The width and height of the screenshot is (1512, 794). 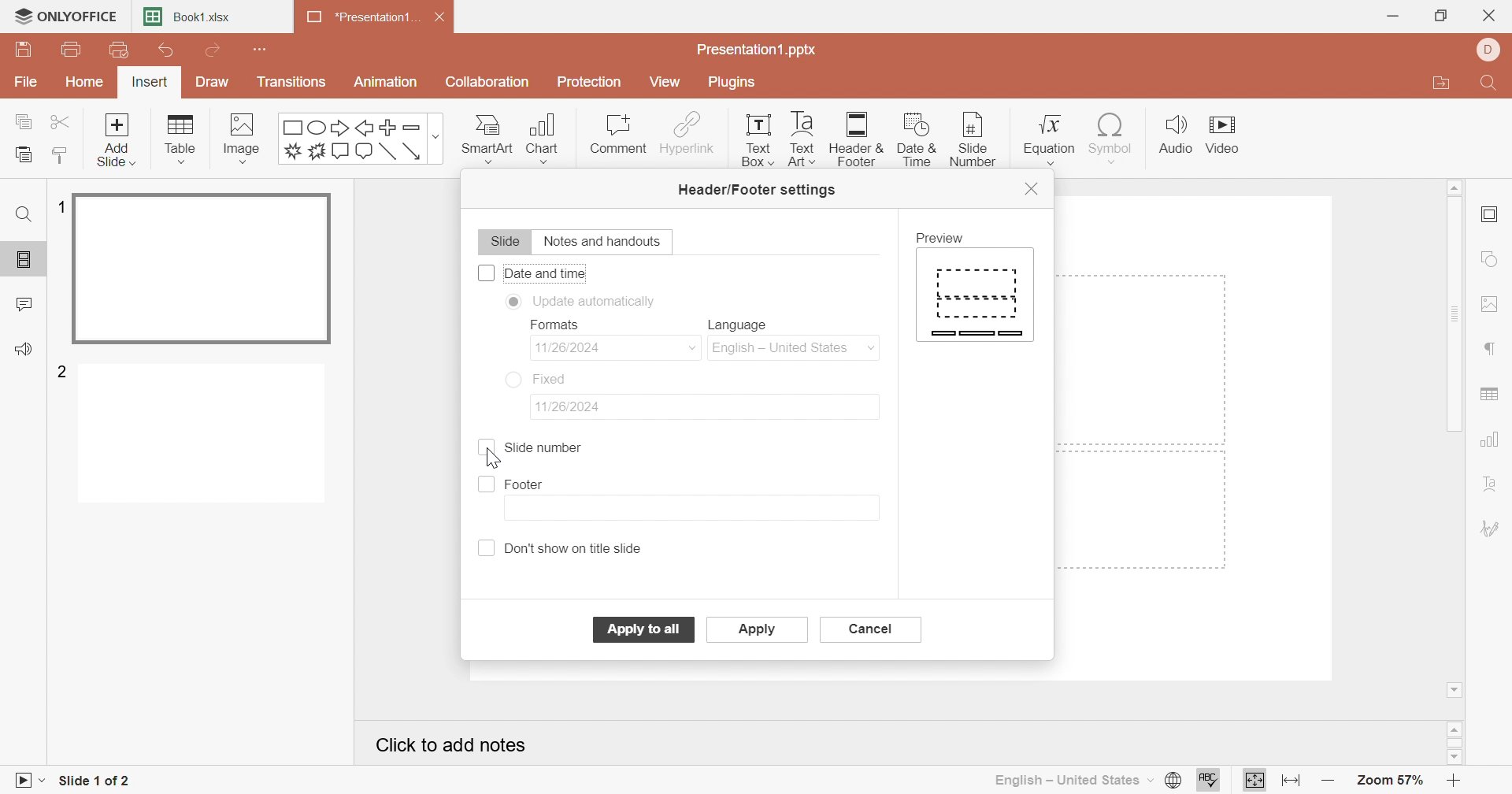 I want to click on Notes and handouts, so click(x=606, y=242).